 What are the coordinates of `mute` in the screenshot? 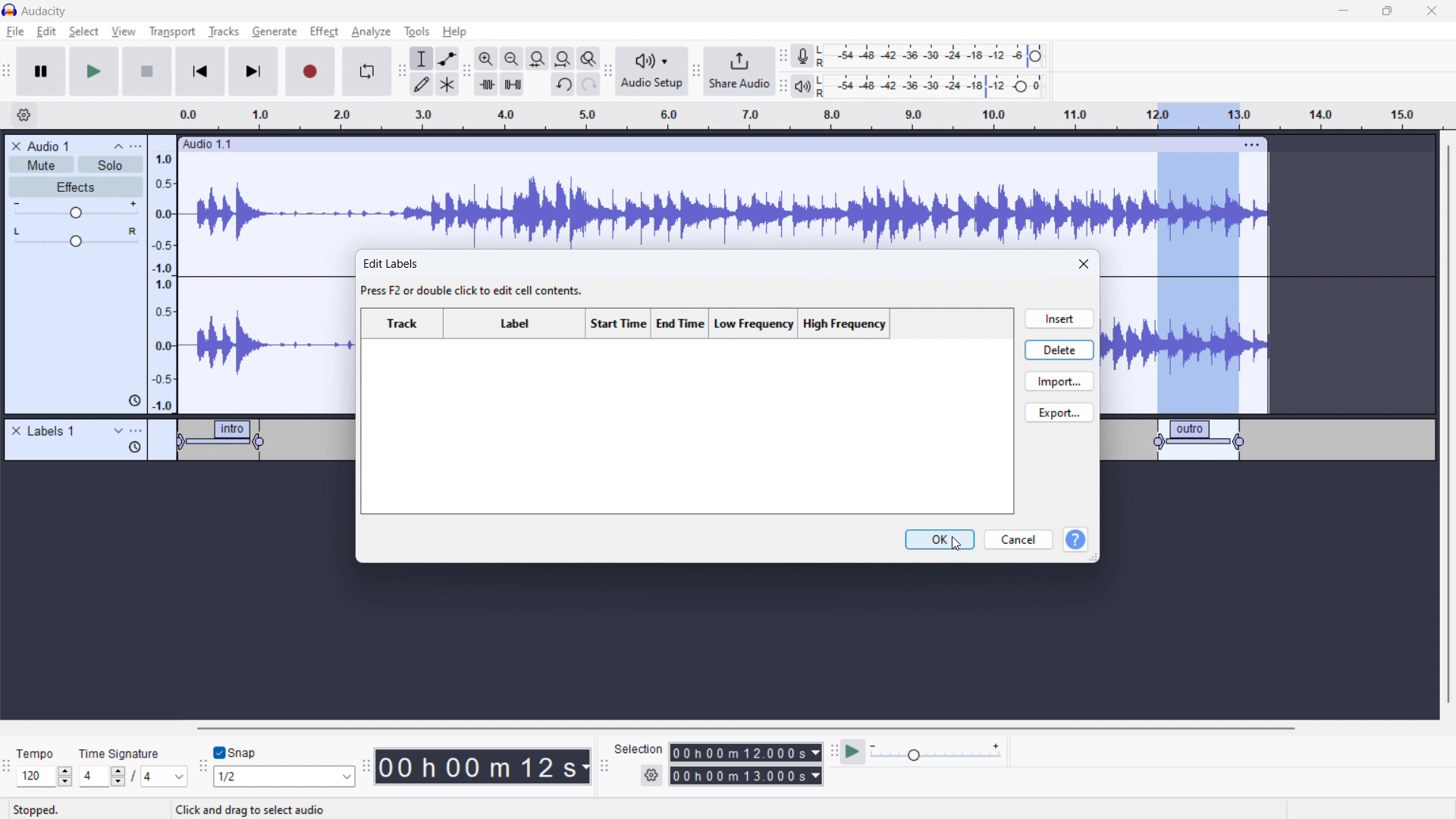 It's located at (41, 165).